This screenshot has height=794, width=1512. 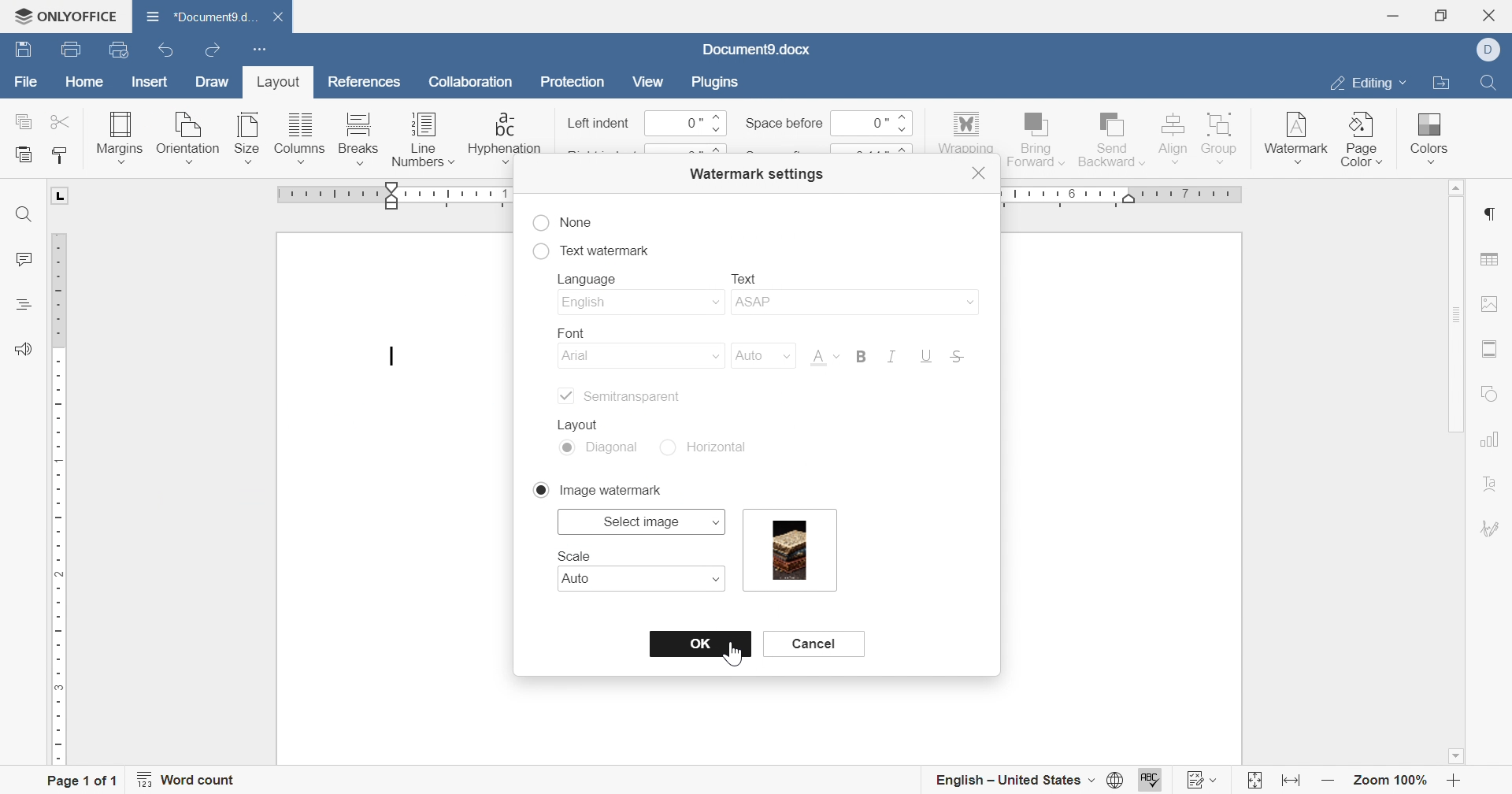 I want to click on 0, so click(x=686, y=124).